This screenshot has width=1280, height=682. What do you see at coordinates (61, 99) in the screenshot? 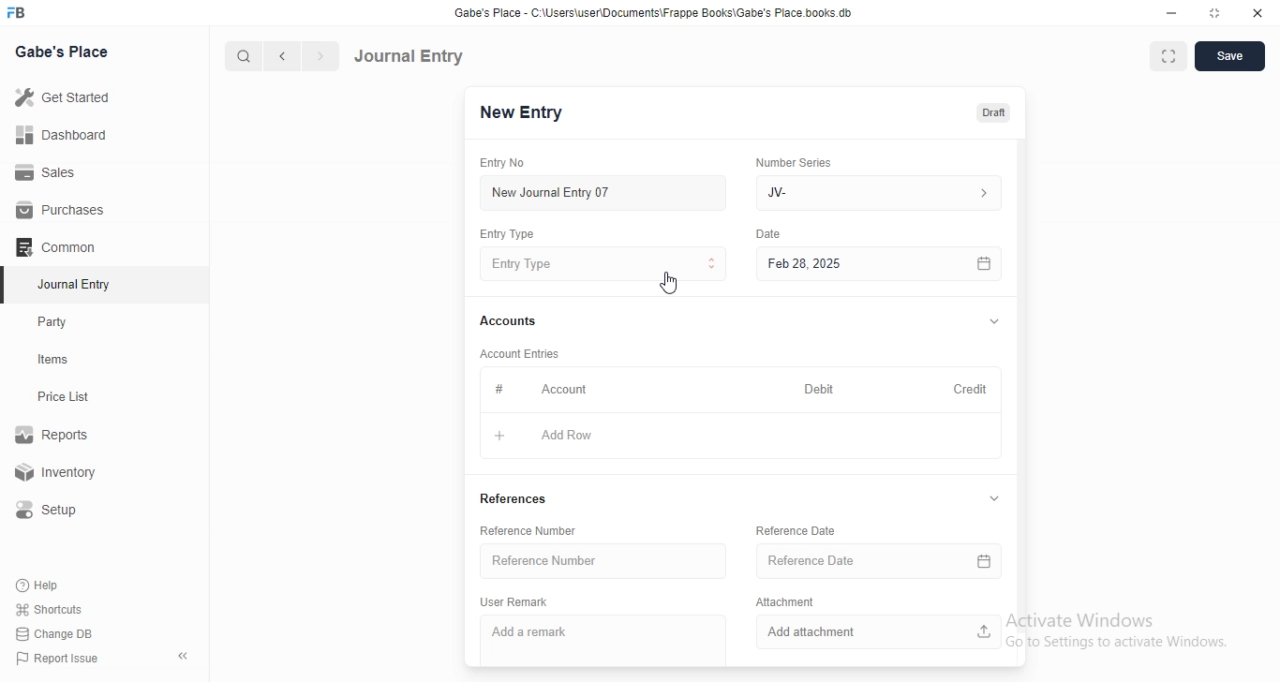
I see `Get Started` at bounding box center [61, 99].